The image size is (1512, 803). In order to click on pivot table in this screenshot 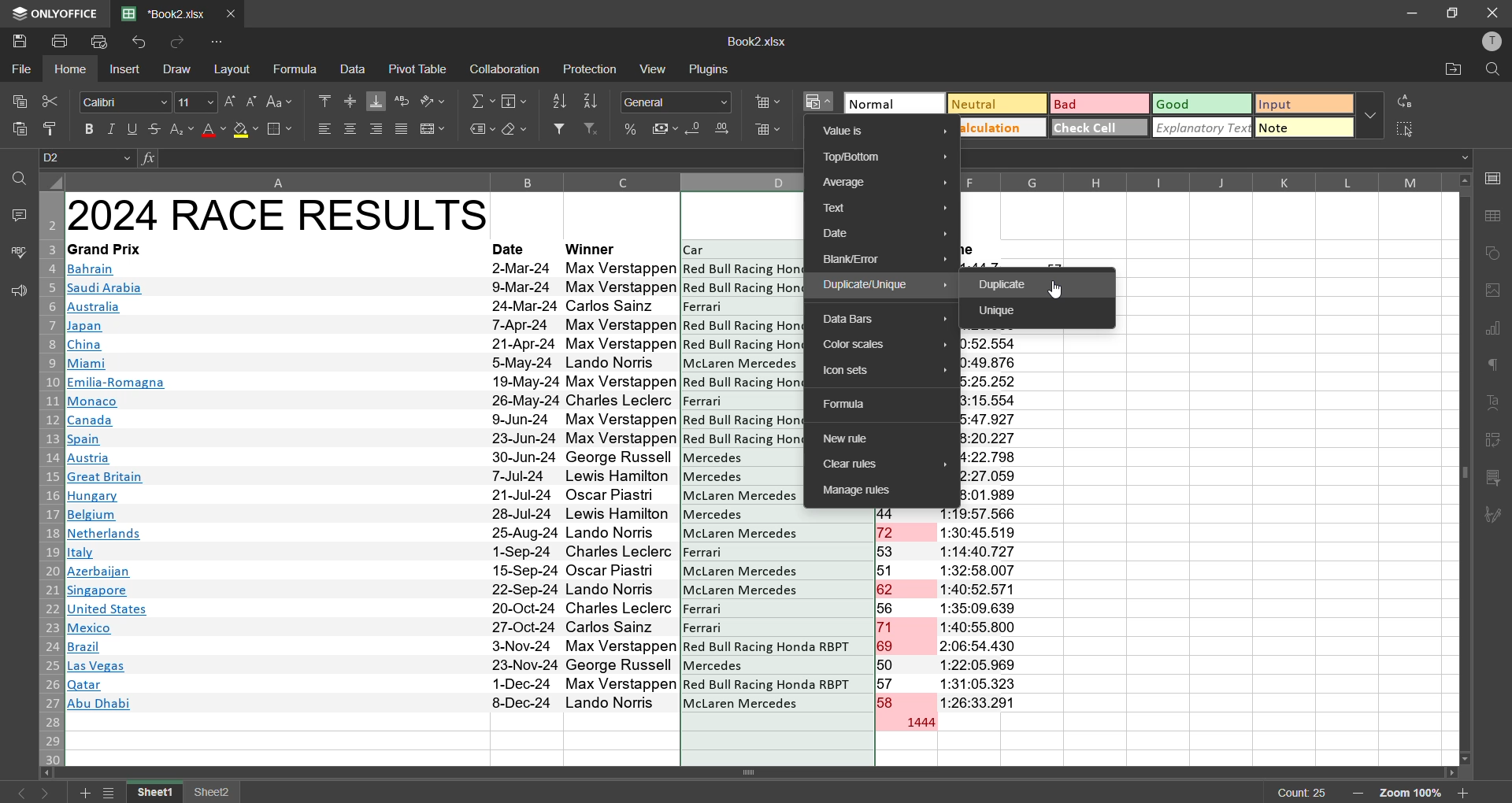, I will do `click(419, 68)`.